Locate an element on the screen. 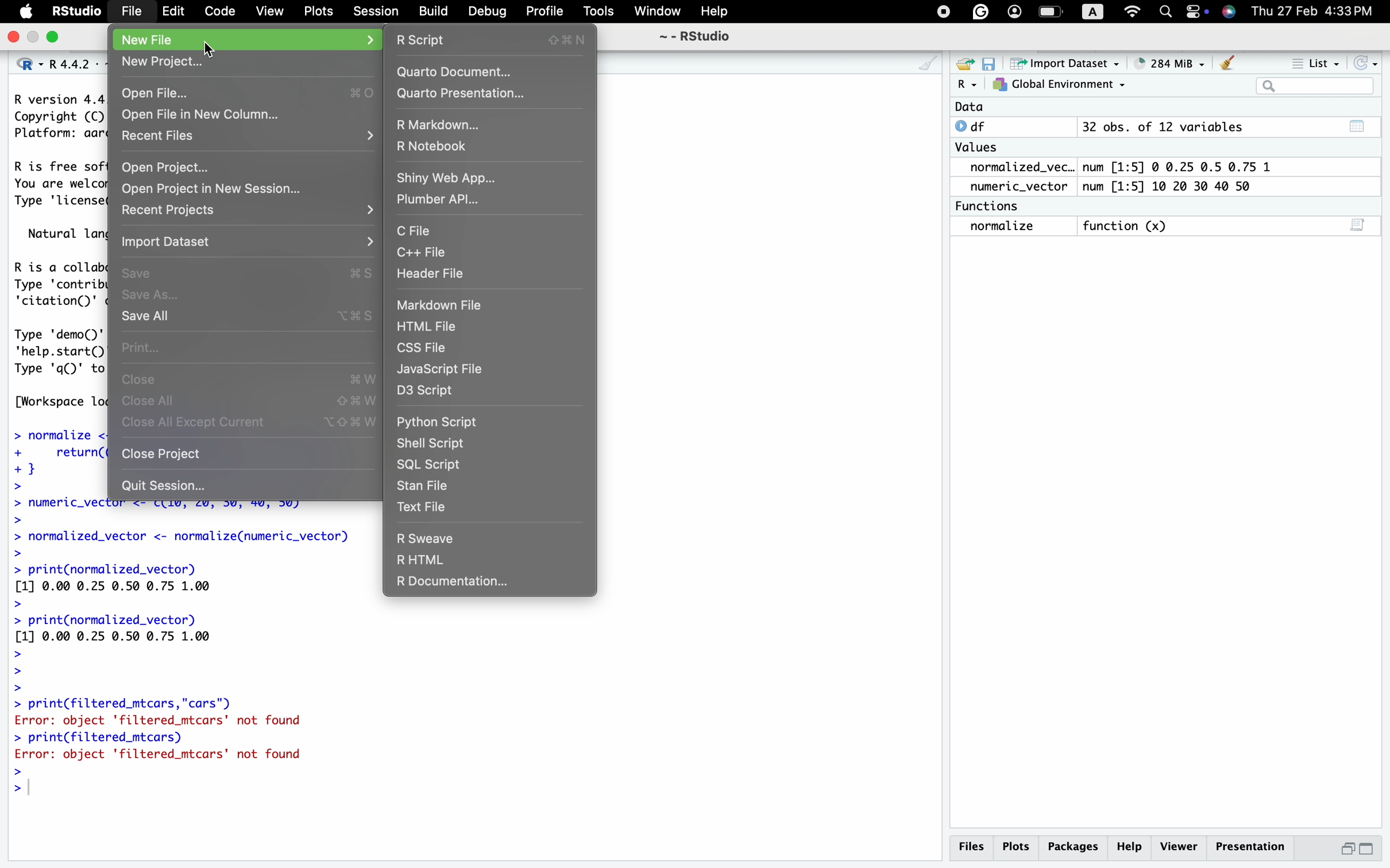 The height and width of the screenshot is (868, 1390). R 4.4.2 is located at coordinates (53, 65).